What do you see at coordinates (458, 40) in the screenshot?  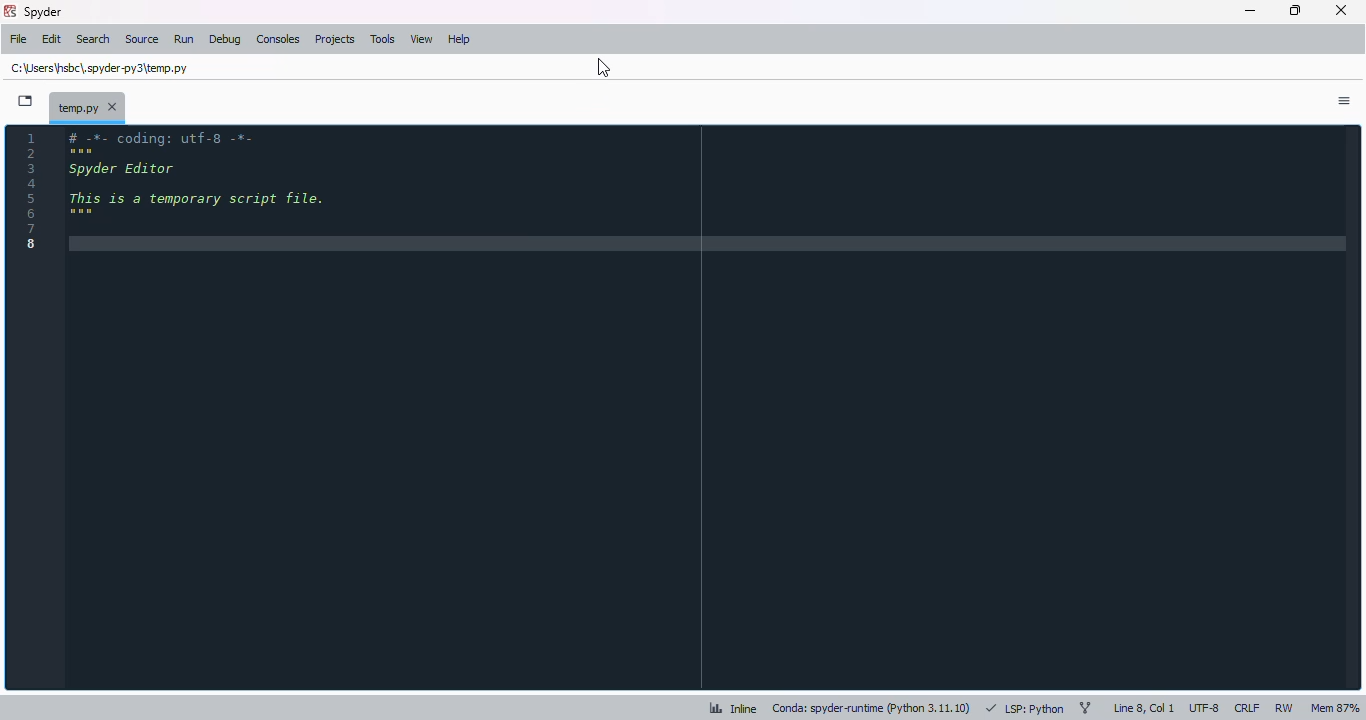 I see `help` at bounding box center [458, 40].